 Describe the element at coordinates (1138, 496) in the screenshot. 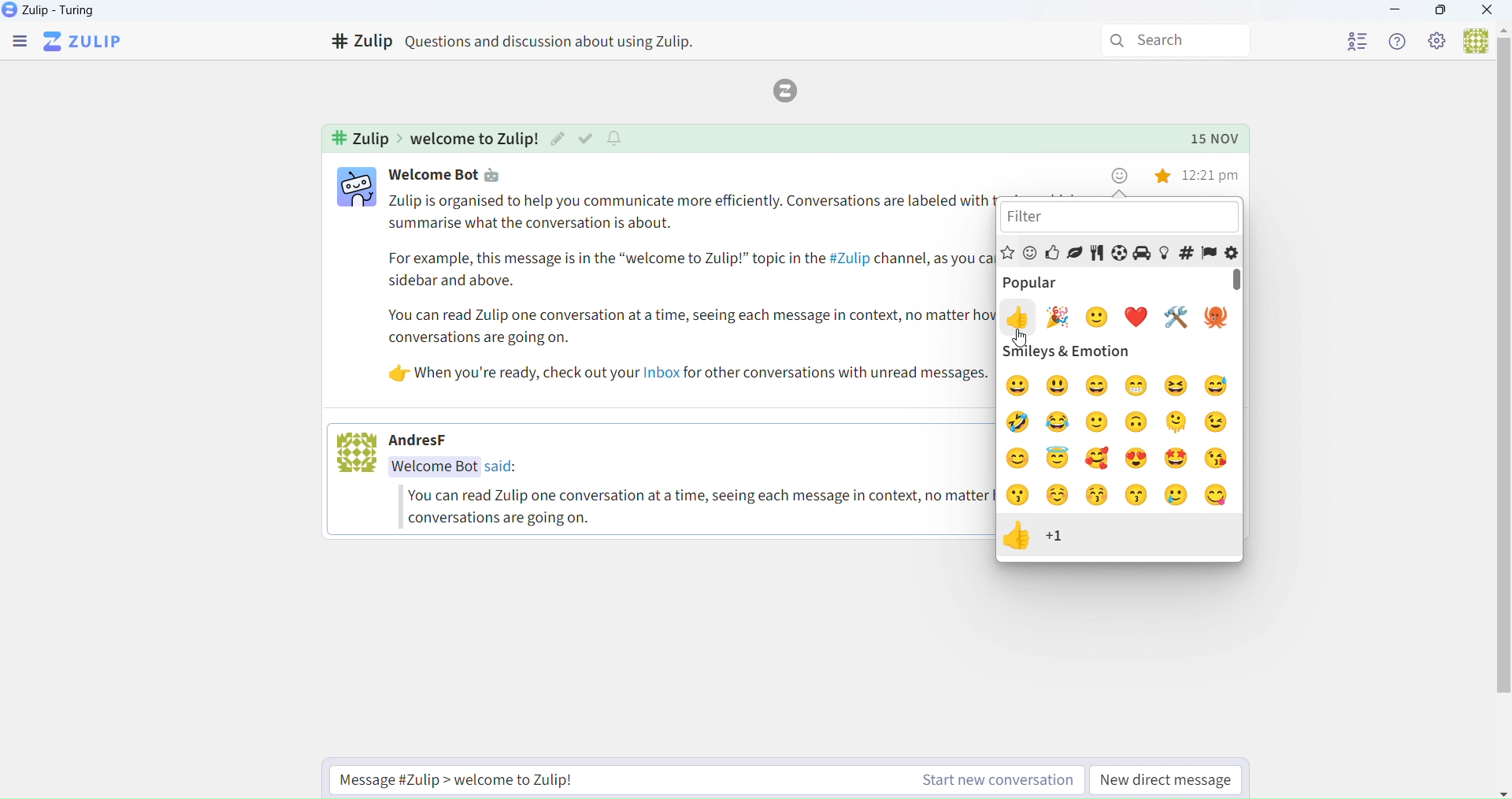

I see `smile with kiss` at that location.